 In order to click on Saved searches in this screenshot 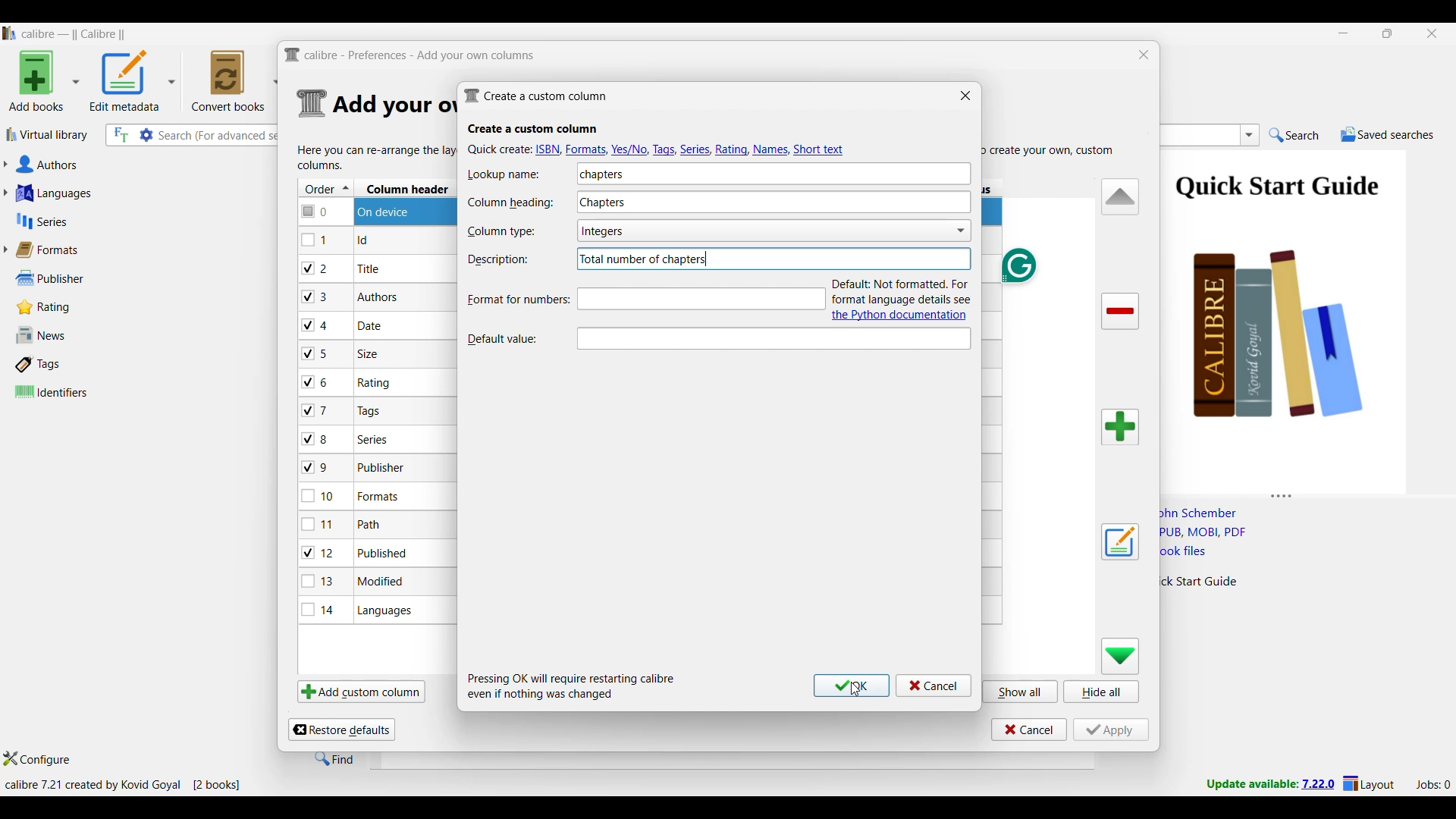, I will do `click(1387, 134)`.